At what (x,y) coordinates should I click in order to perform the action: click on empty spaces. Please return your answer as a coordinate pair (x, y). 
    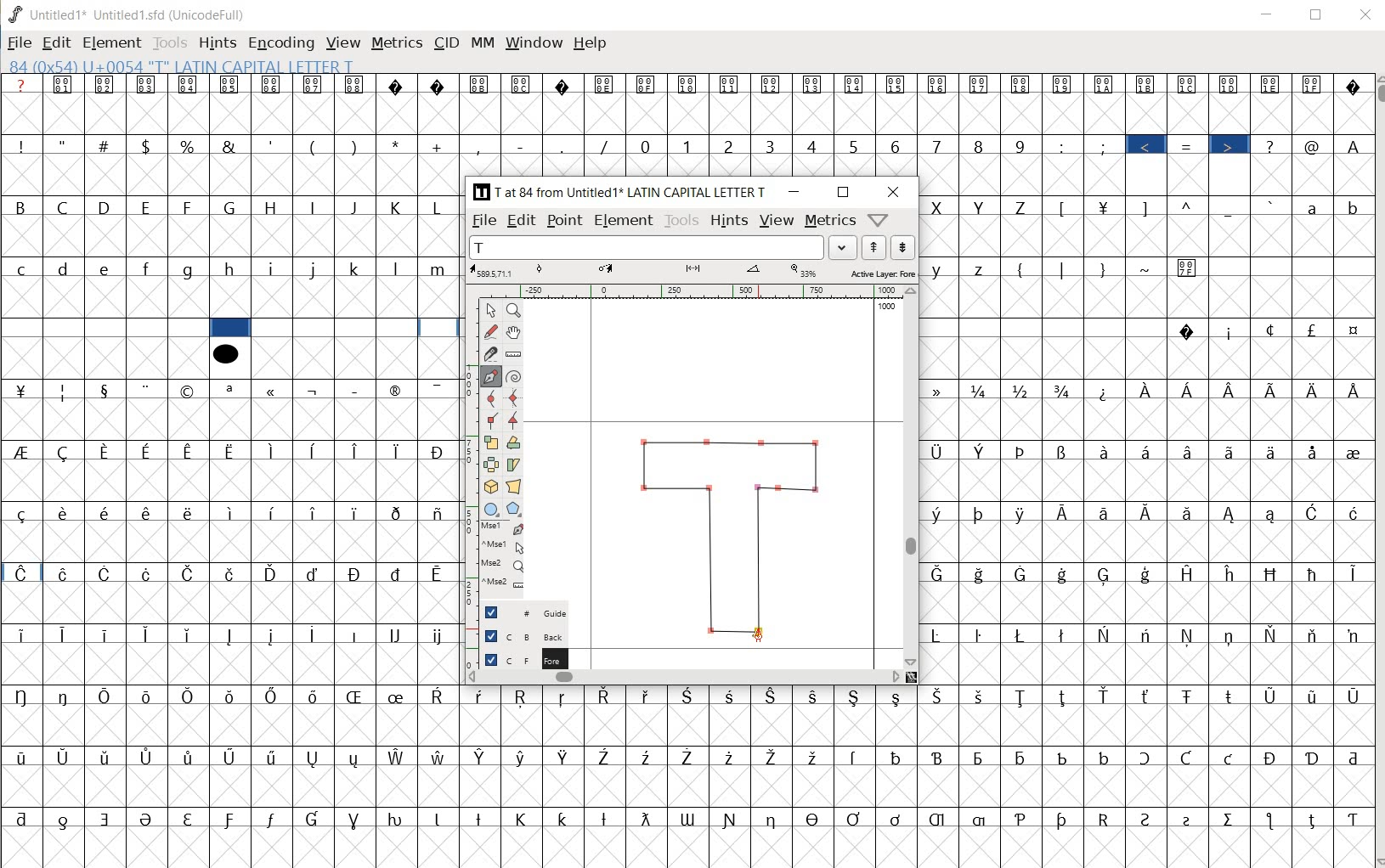
    Looking at the image, I should click on (105, 327).